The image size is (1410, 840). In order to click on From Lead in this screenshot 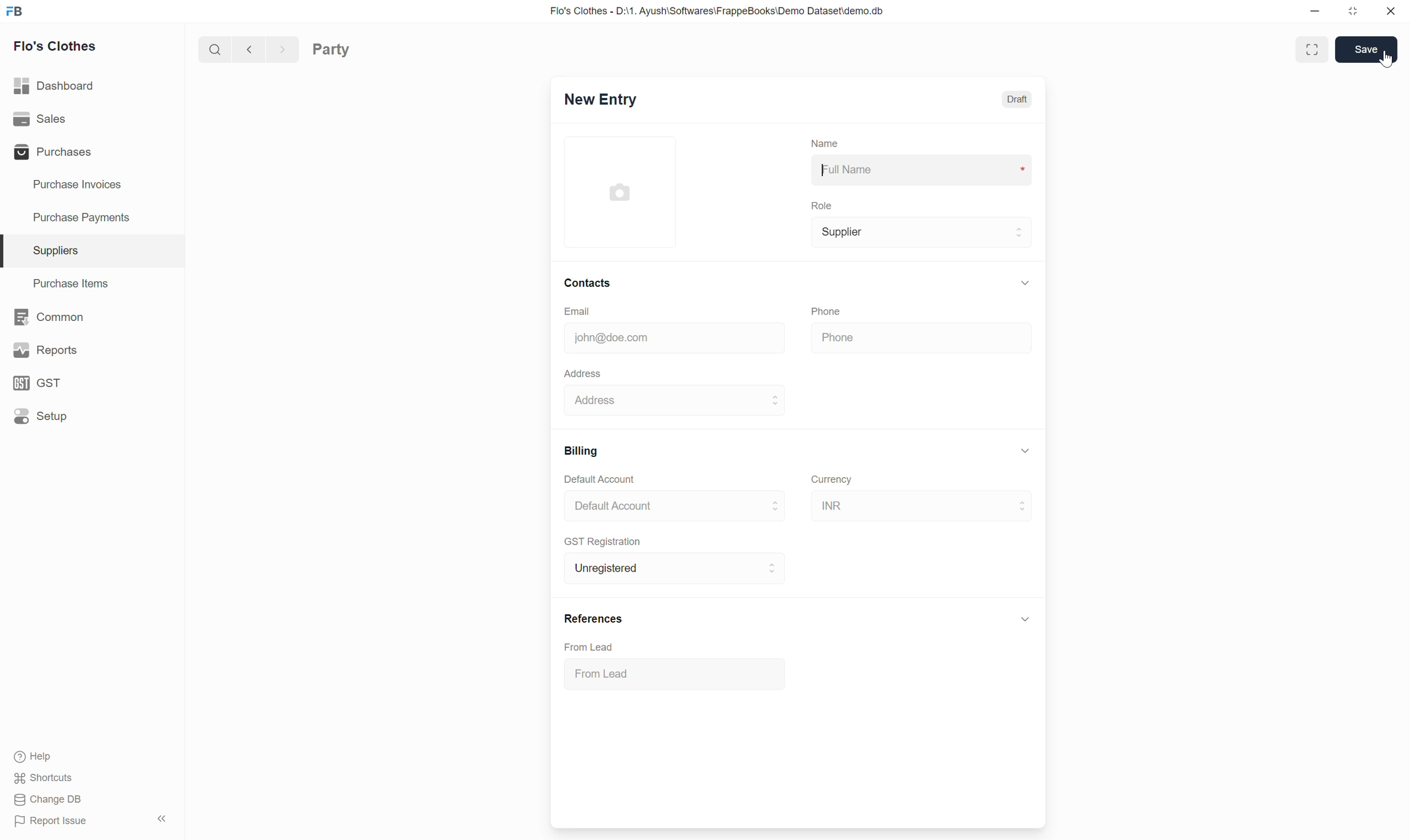, I will do `click(588, 647)`.